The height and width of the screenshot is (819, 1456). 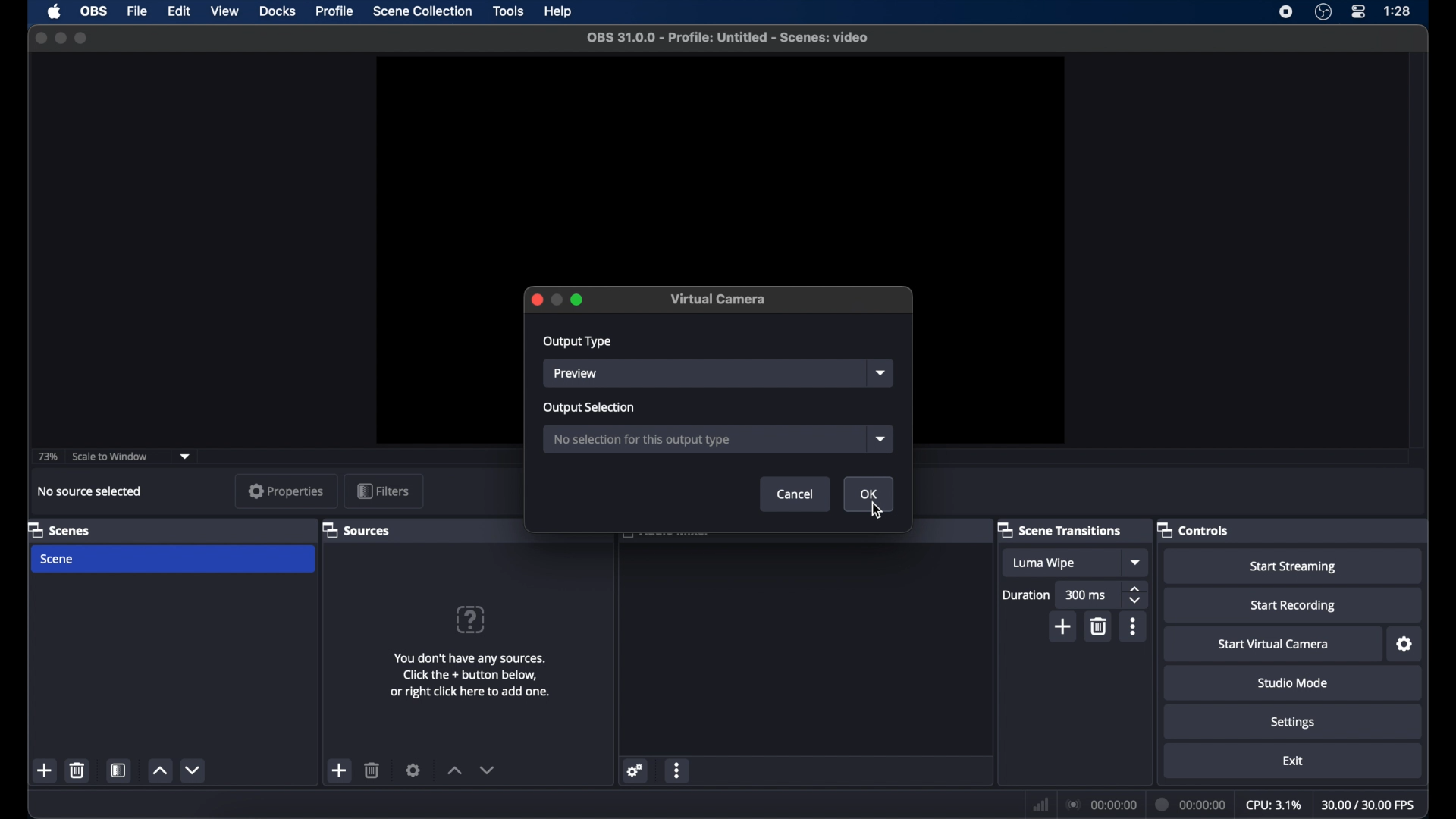 What do you see at coordinates (1293, 604) in the screenshot?
I see `start recording` at bounding box center [1293, 604].